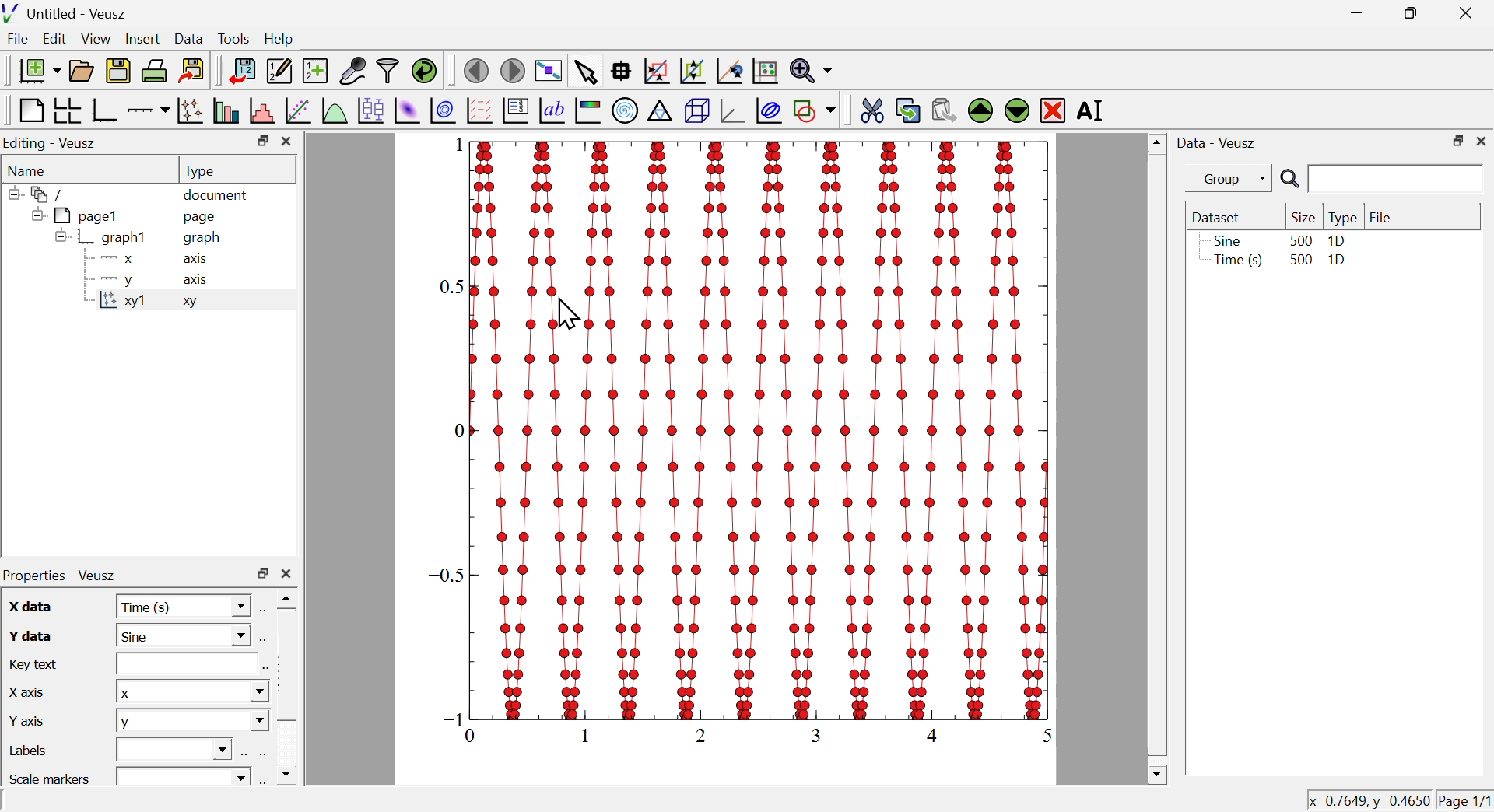 This screenshot has height=812, width=1494. Describe the element at coordinates (29, 635) in the screenshot. I see `y data` at that location.